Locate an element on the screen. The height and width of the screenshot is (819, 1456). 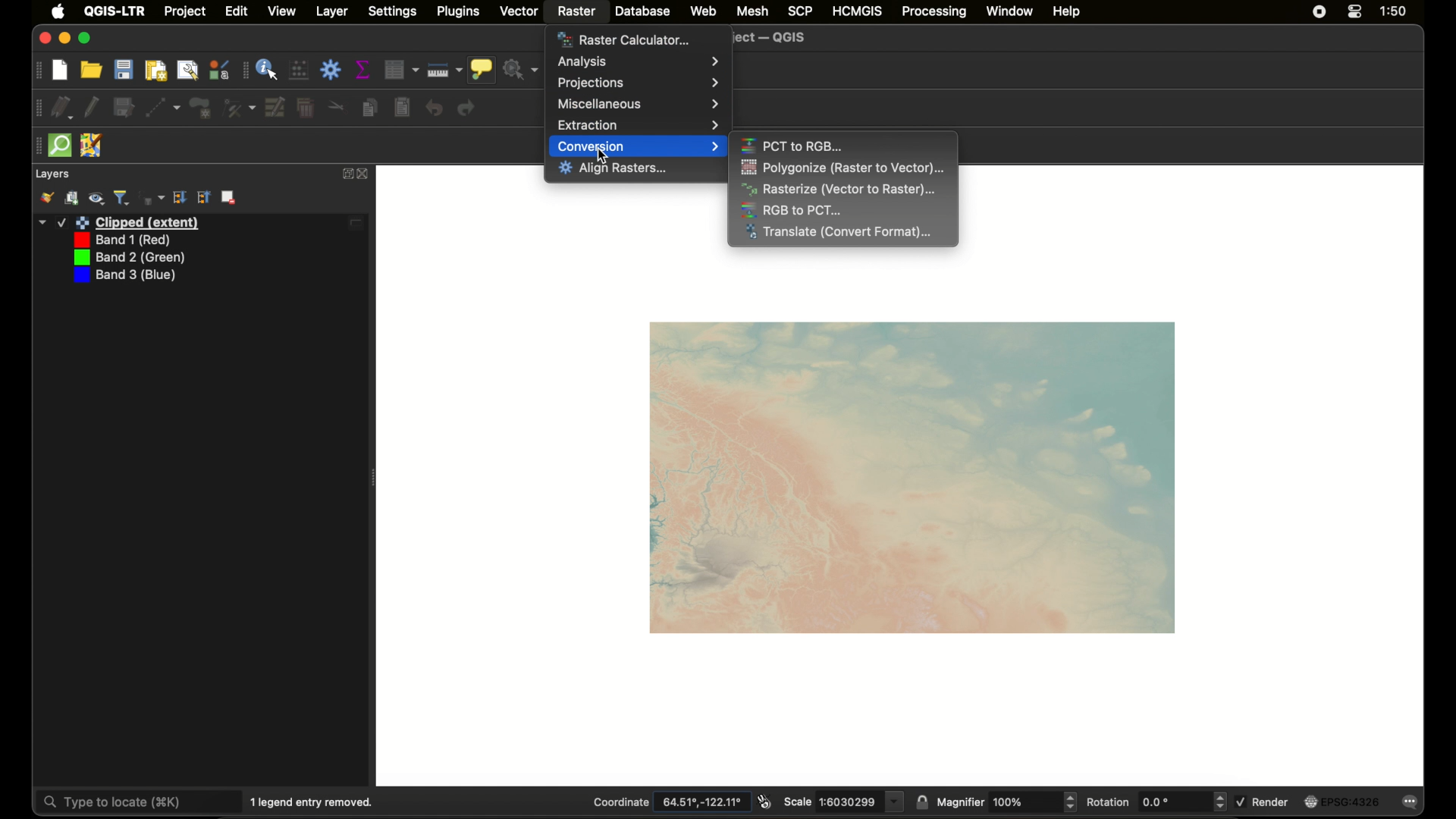
drag handke is located at coordinates (37, 108).